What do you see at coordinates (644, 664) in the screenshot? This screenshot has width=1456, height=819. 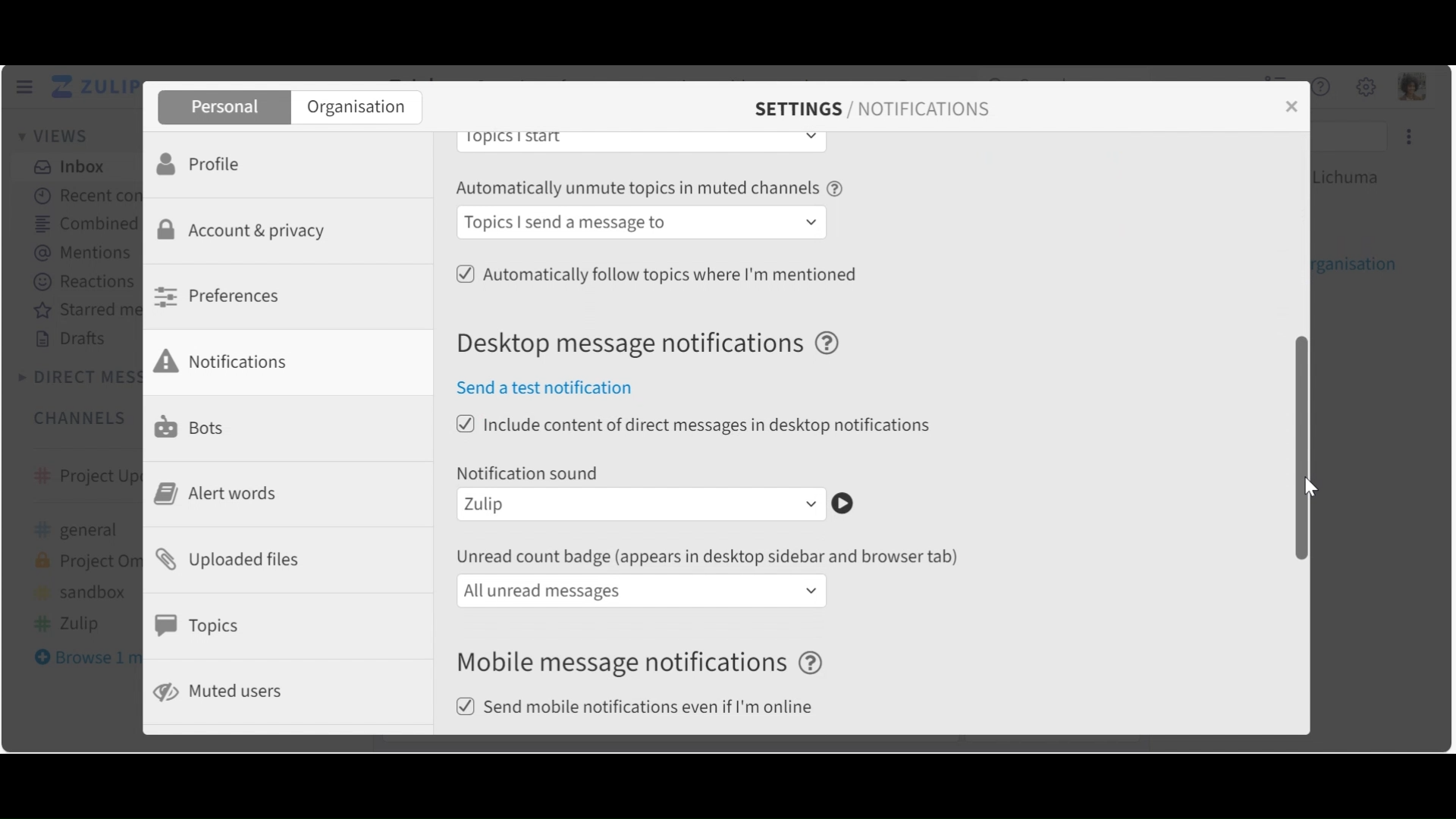 I see `Mobile message notifications` at bounding box center [644, 664].